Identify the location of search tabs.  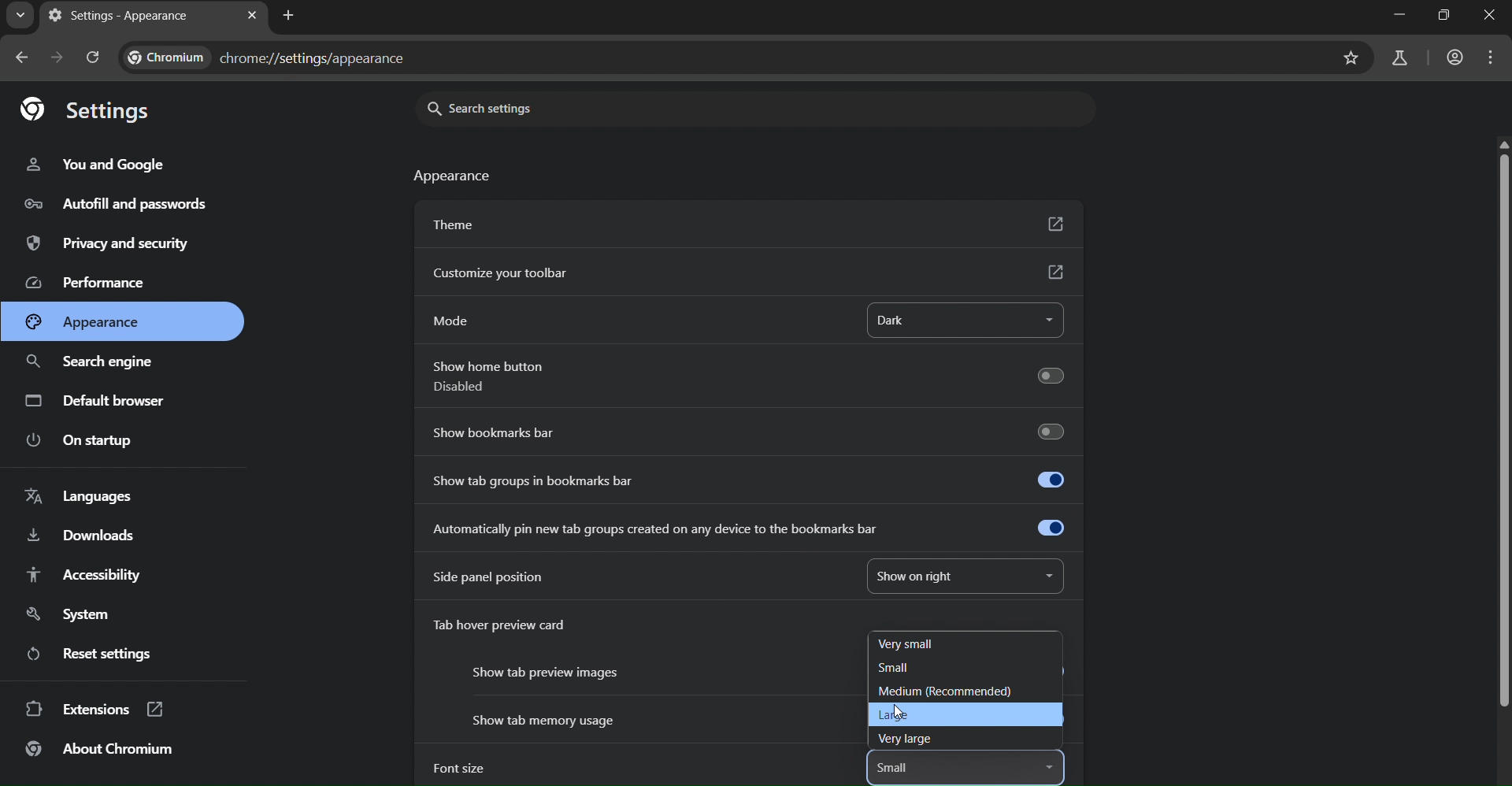
(20, 15).